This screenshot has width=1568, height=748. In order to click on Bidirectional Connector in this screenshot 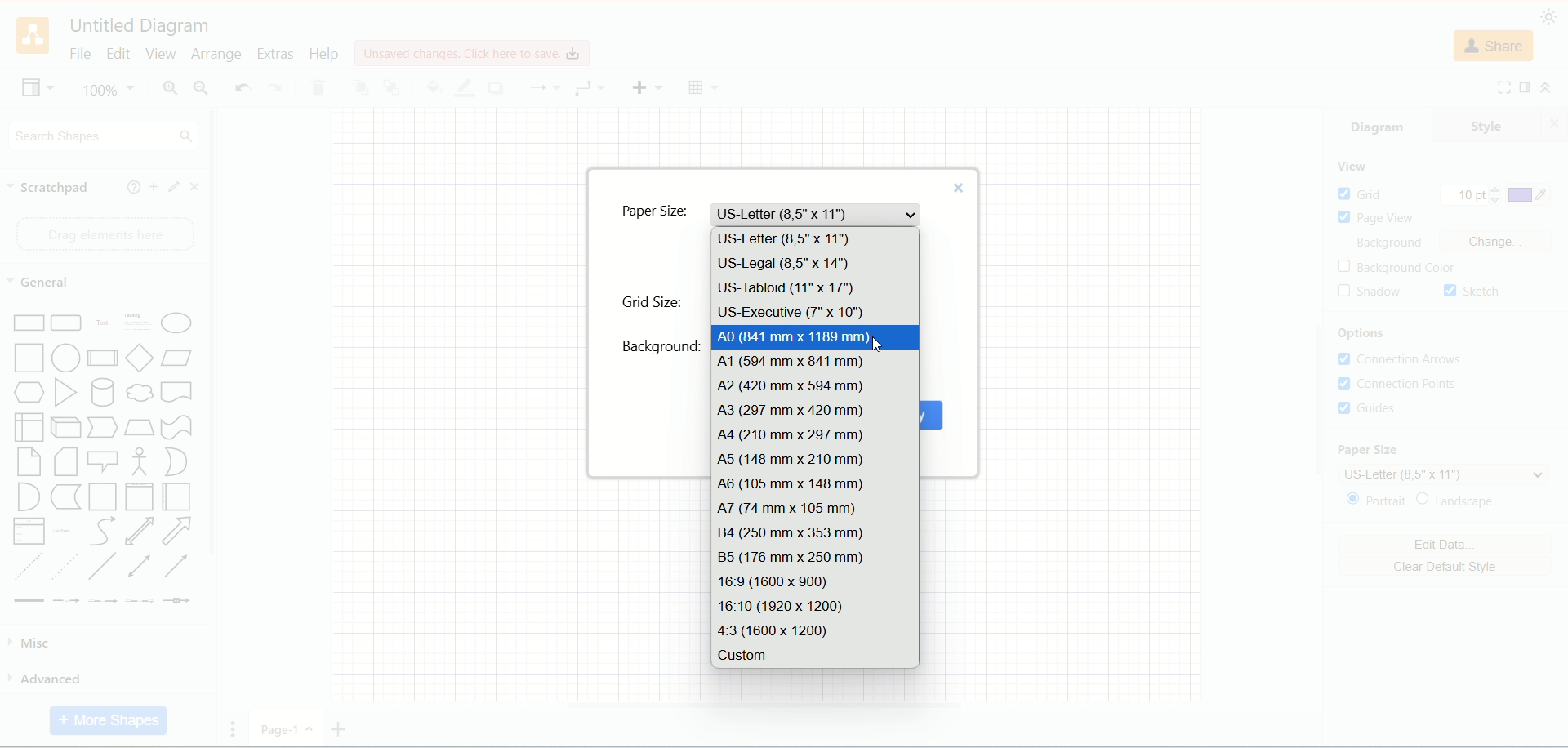, I will do `click(143, 567)`.